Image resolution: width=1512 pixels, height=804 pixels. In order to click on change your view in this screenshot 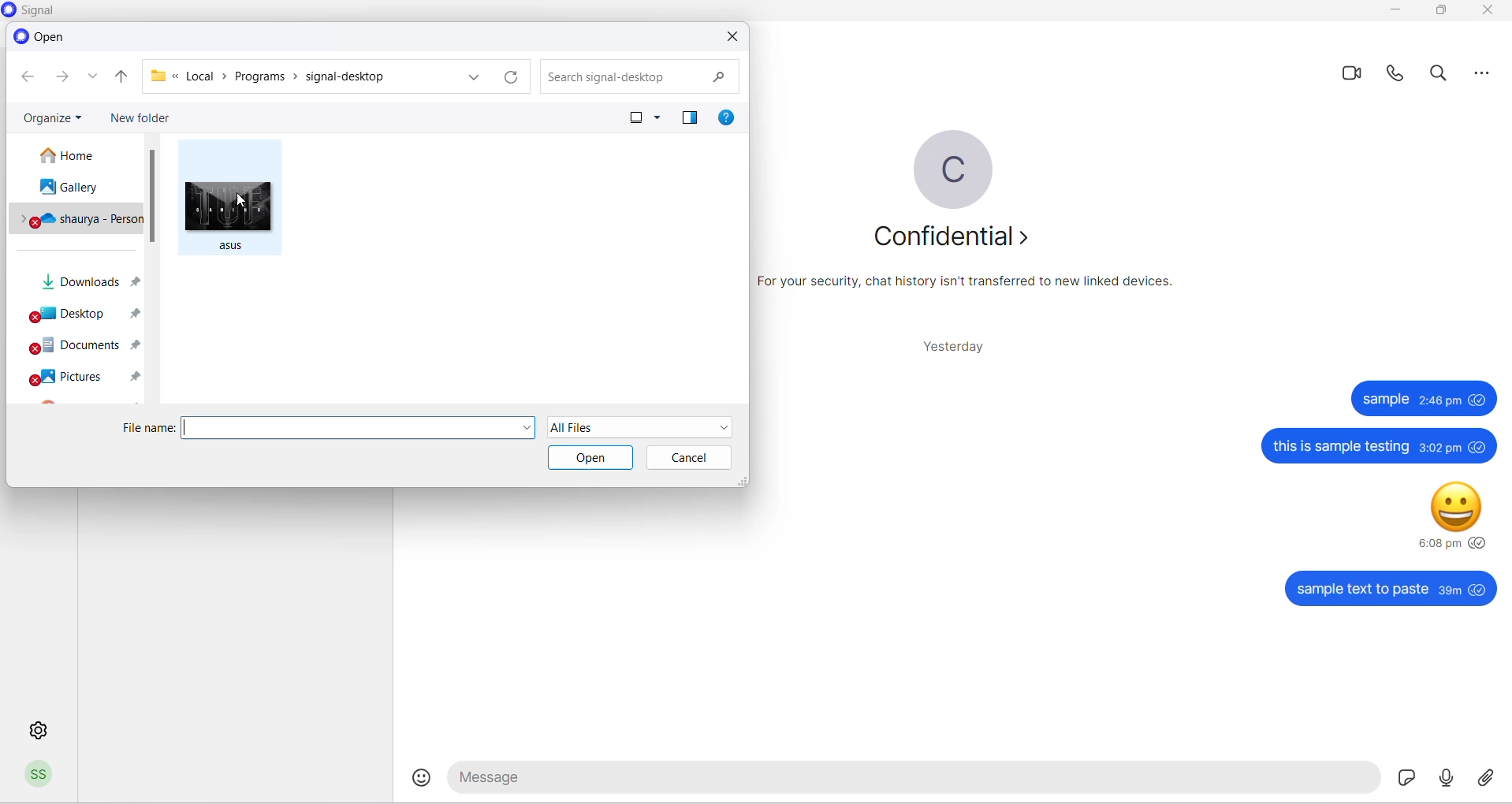, I will do `click(625, 117)`.